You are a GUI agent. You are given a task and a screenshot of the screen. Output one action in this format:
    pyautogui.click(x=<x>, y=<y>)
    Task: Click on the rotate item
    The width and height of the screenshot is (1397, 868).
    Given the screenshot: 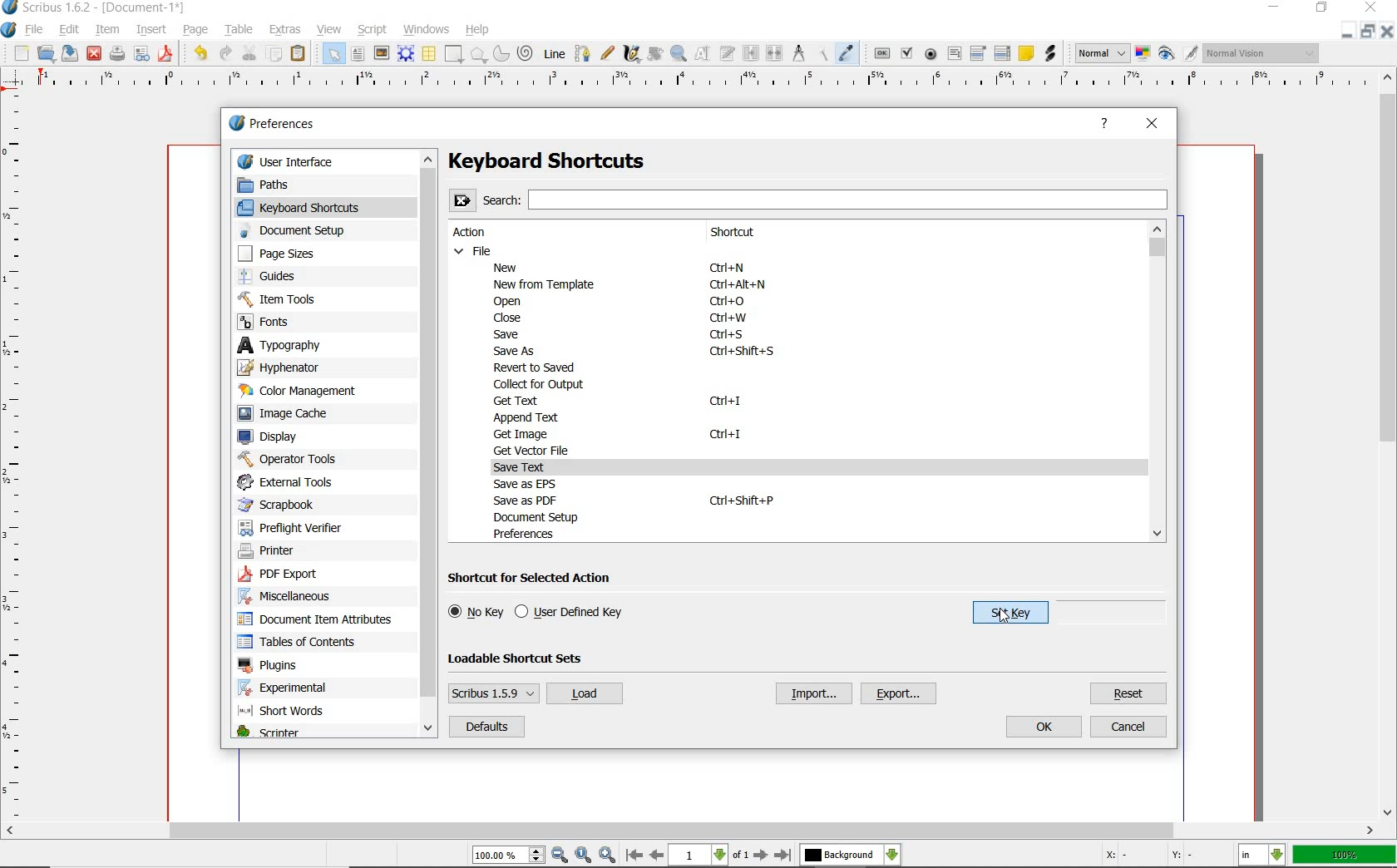 What is the action you would take?
    pyautogui.click(x=655, y=55)
    